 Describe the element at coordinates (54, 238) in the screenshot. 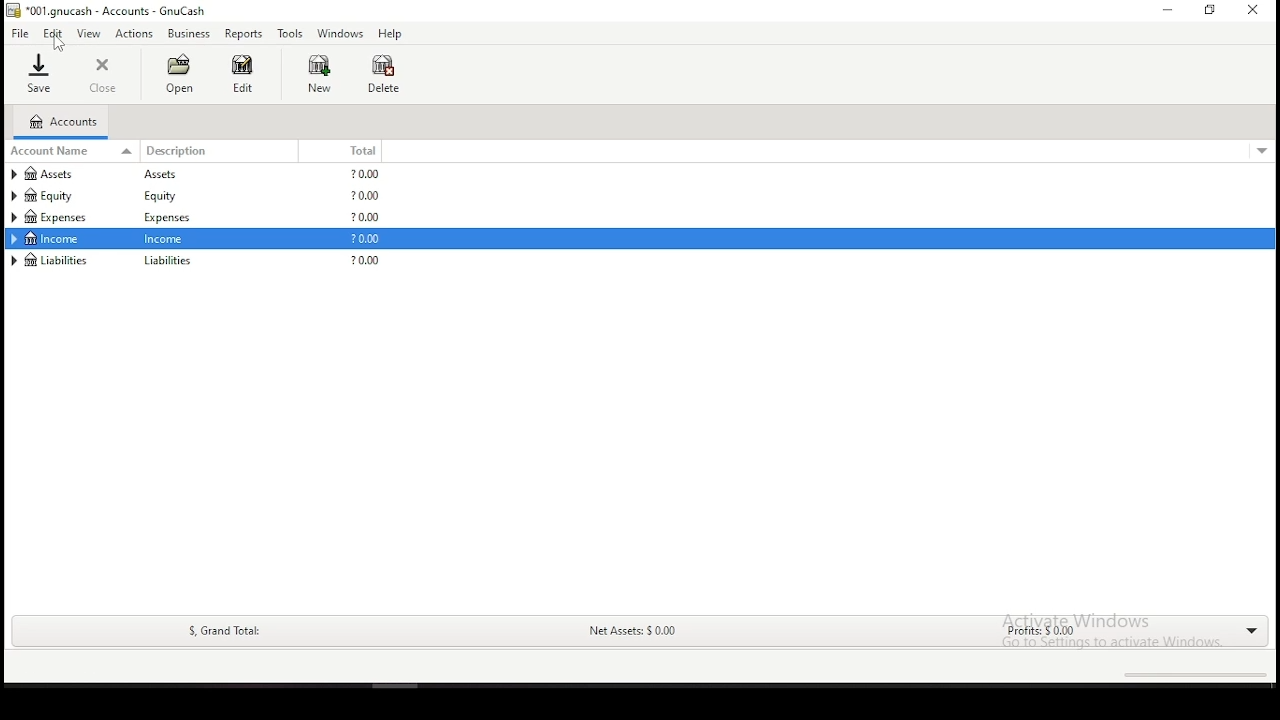

I see `income` at that location.